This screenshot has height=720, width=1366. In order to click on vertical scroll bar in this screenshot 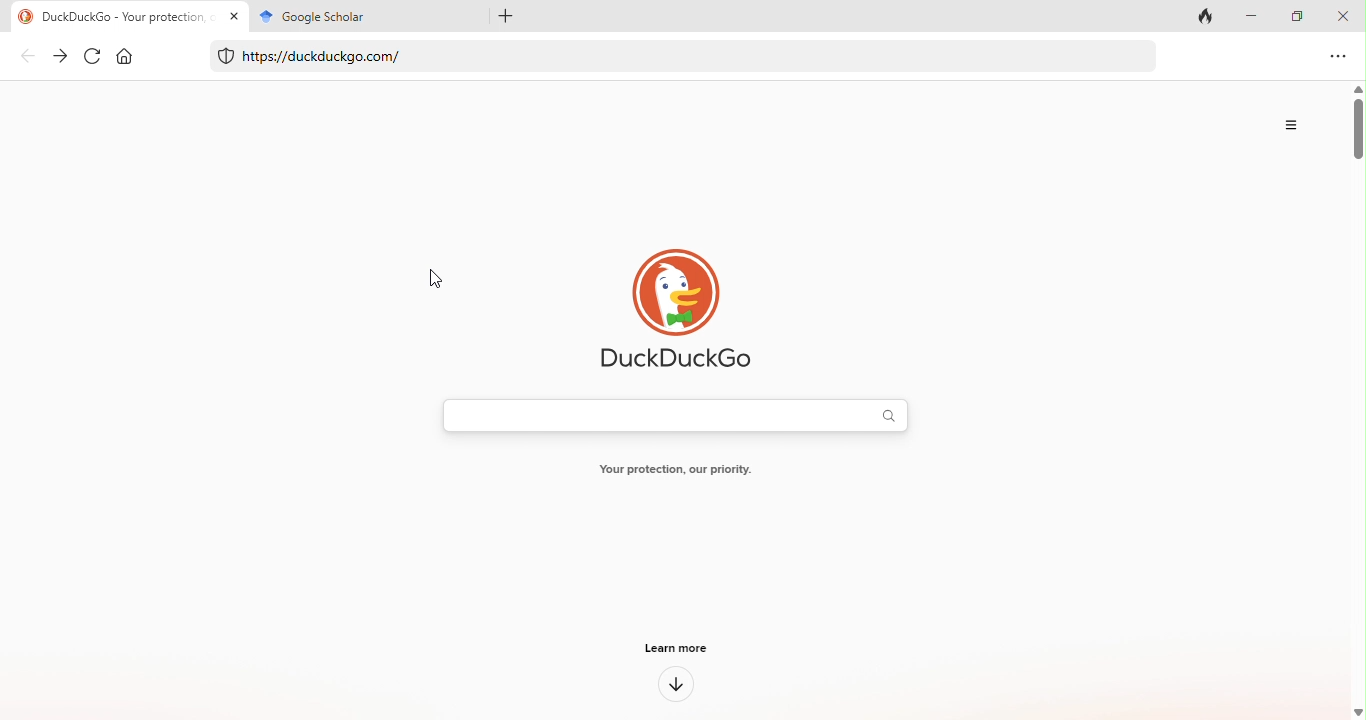, I will do `click(1357, 135)`.